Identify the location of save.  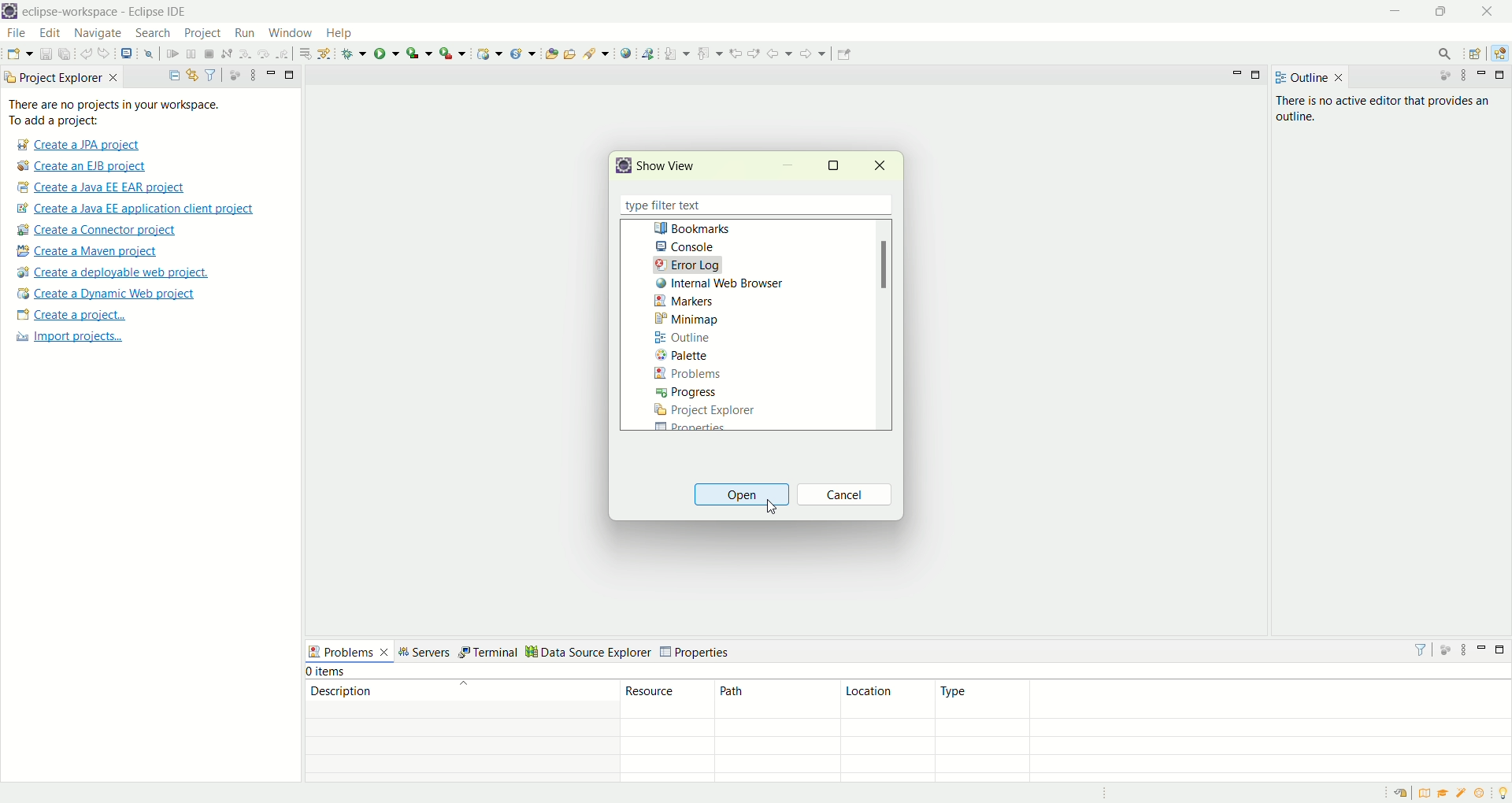
(45, 54).